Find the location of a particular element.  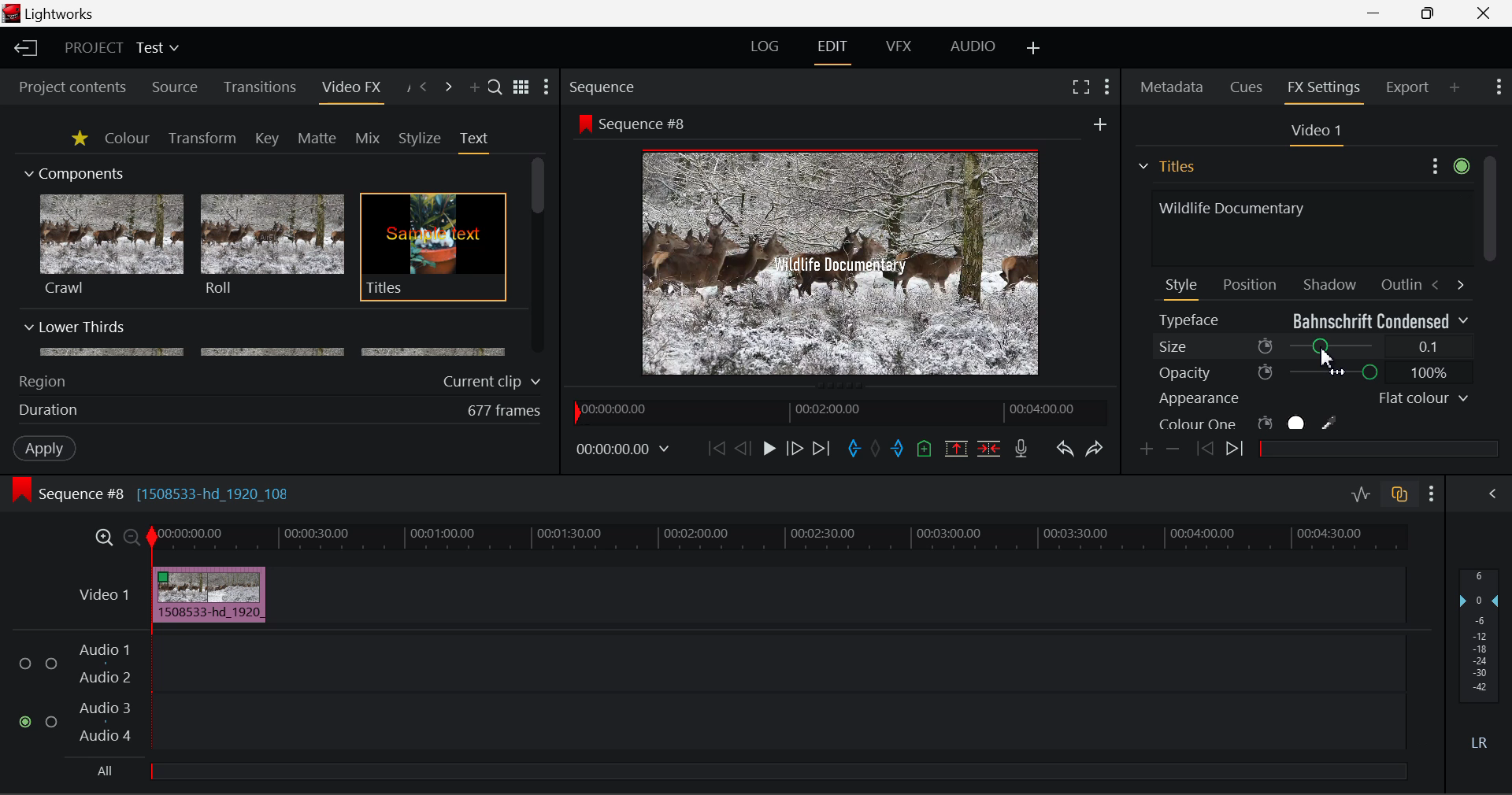

Scroll Bar is located at coordinates (539, 257).